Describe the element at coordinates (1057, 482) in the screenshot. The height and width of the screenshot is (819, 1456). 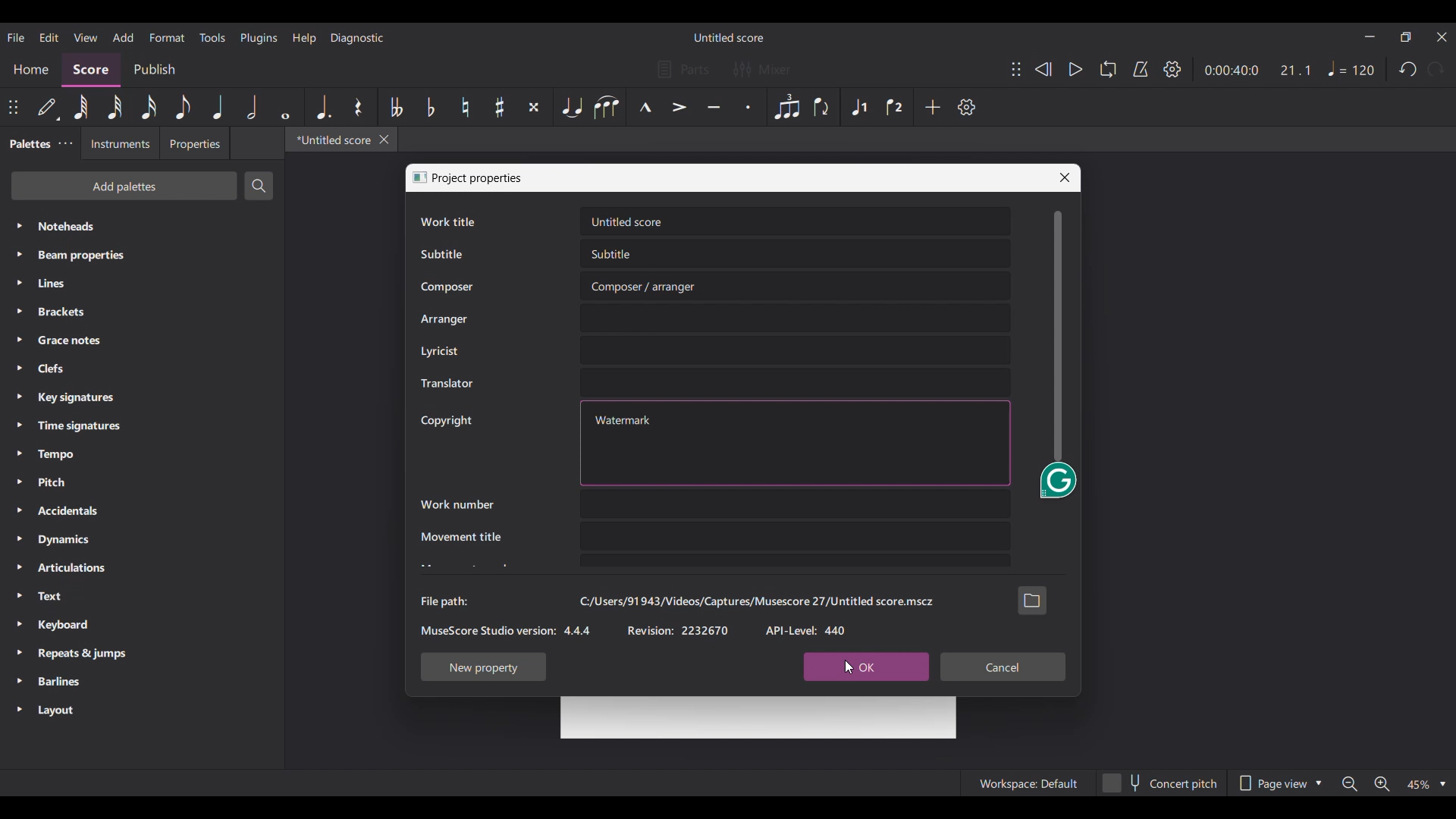
I see `Grammarly extension` at that location.